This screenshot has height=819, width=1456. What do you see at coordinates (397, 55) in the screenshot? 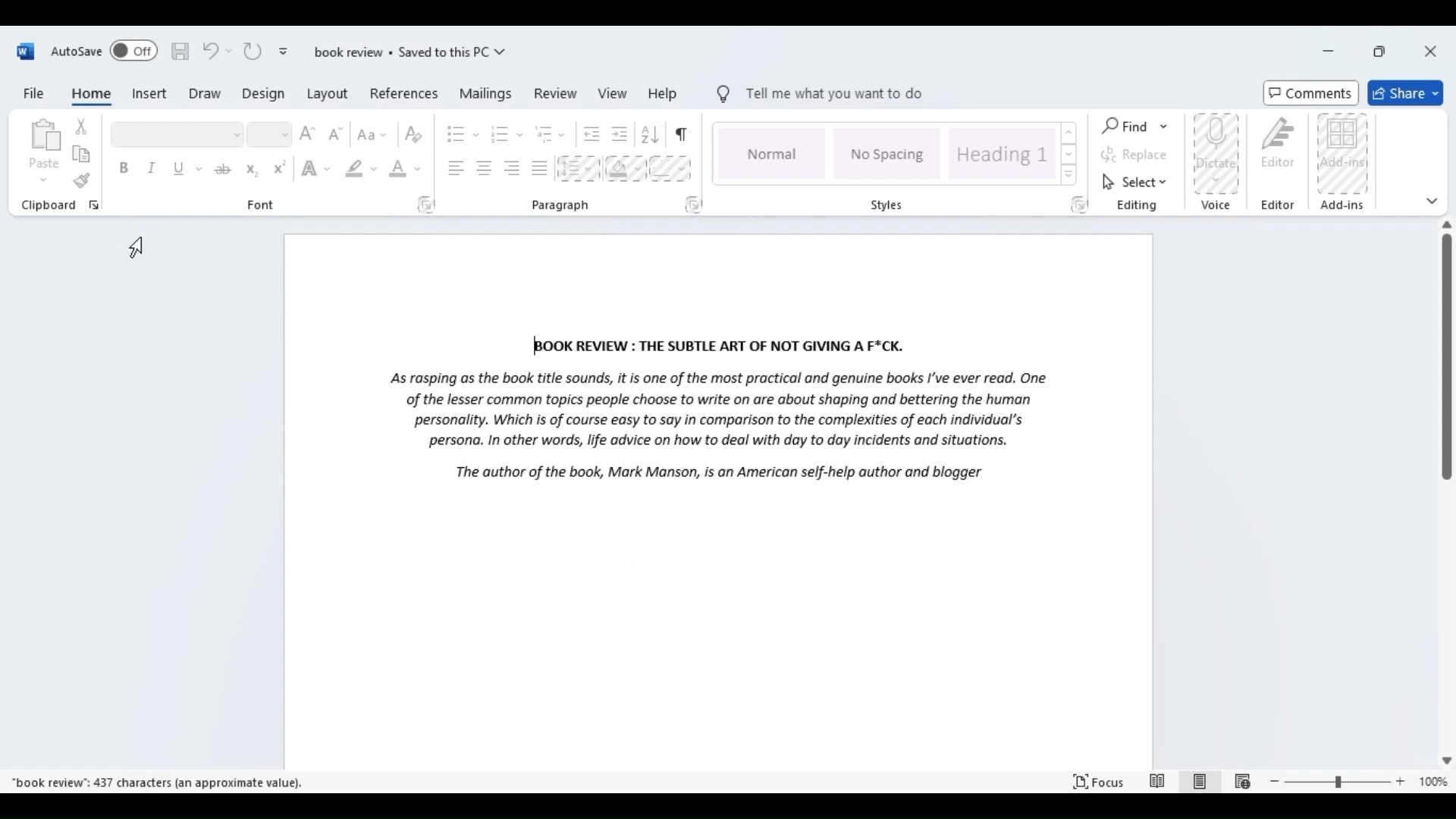
I see `book review + Saved to this PC v` at bounding box center [397, 55].